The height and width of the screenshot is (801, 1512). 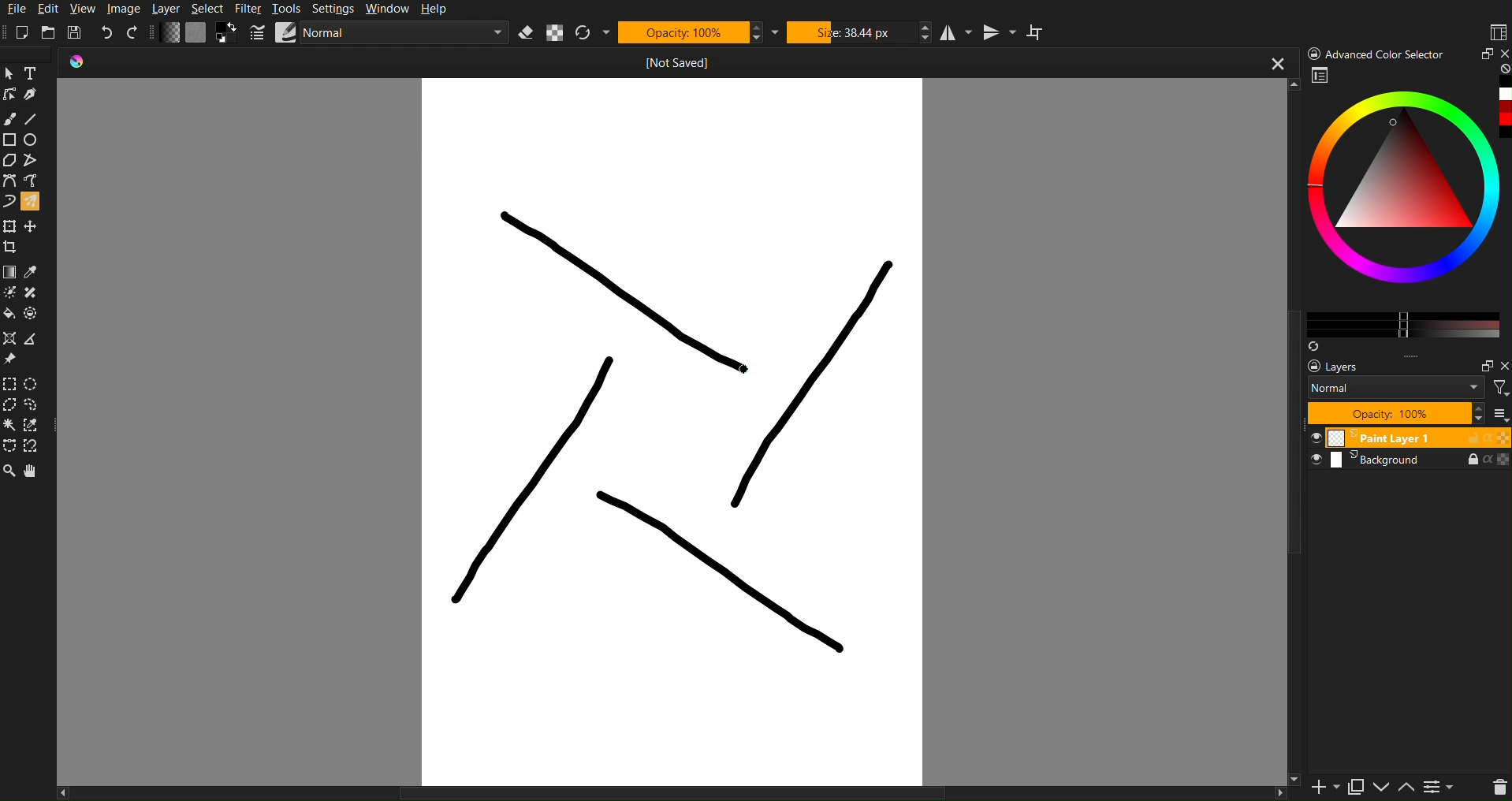 What do you see at coordinates (36, 384) in the screenshot?
I see `Ellipse selection Tool` at bounding box center [36, 384].